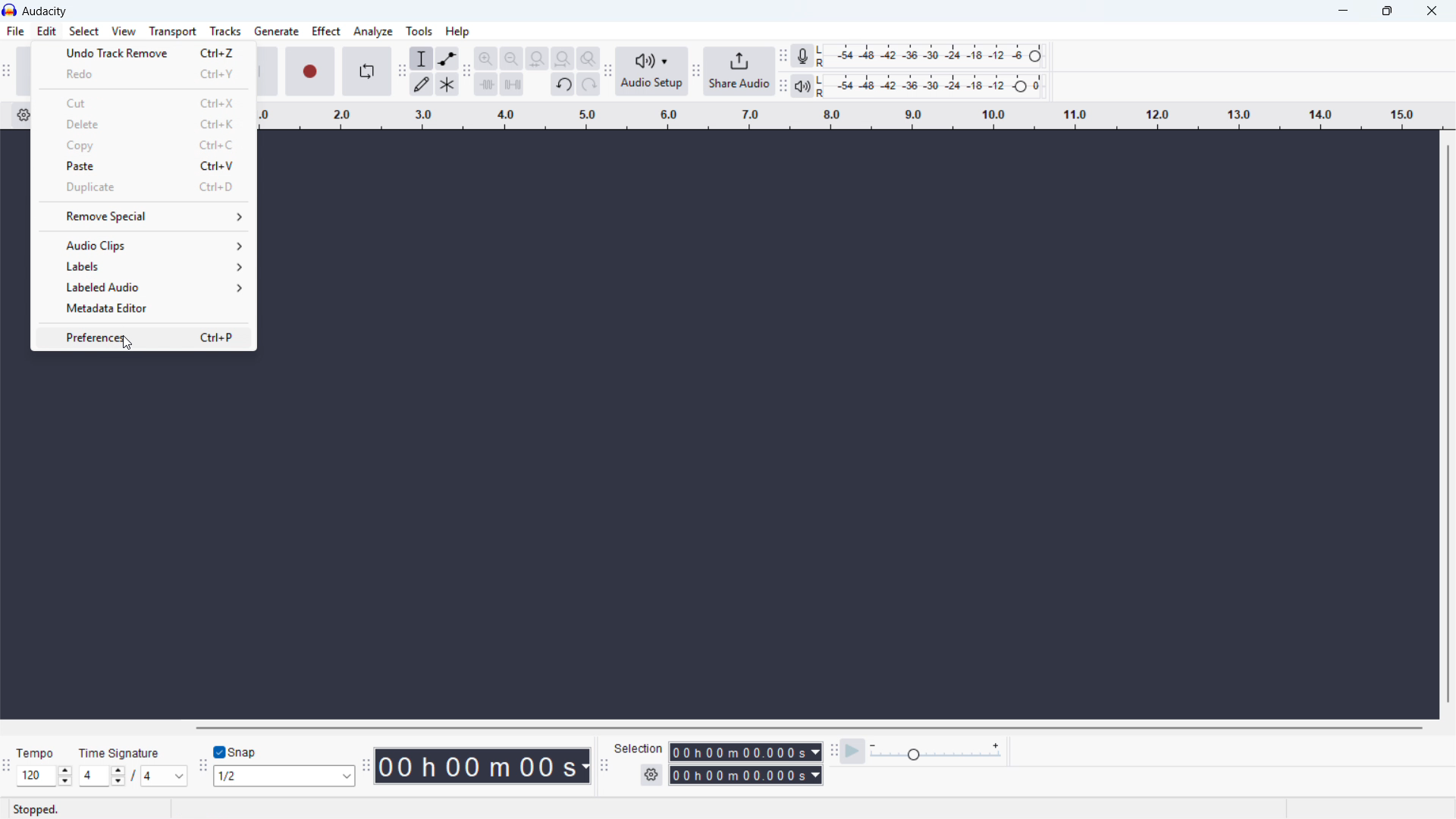 The image size is (1456, 819). I want to click on selection settings, so click(652, 775).